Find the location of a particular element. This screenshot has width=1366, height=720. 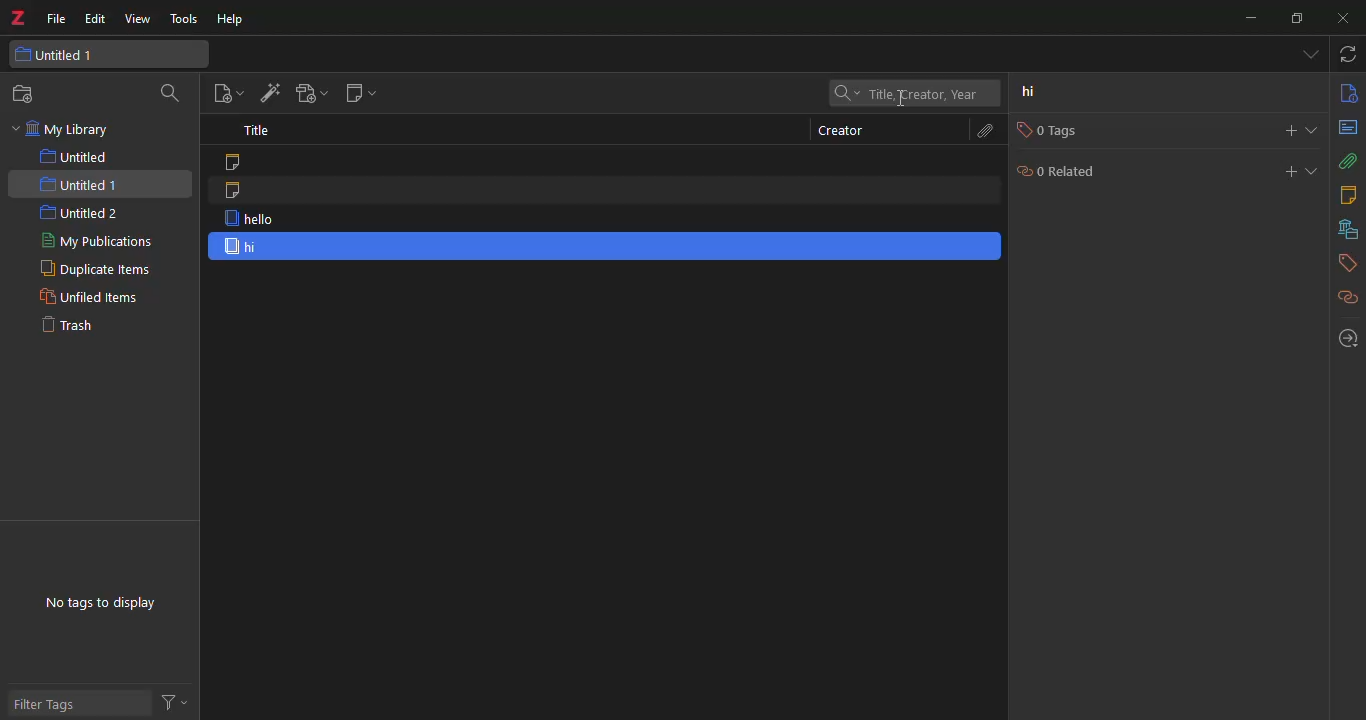

add items is located at coordinates (268, 94).